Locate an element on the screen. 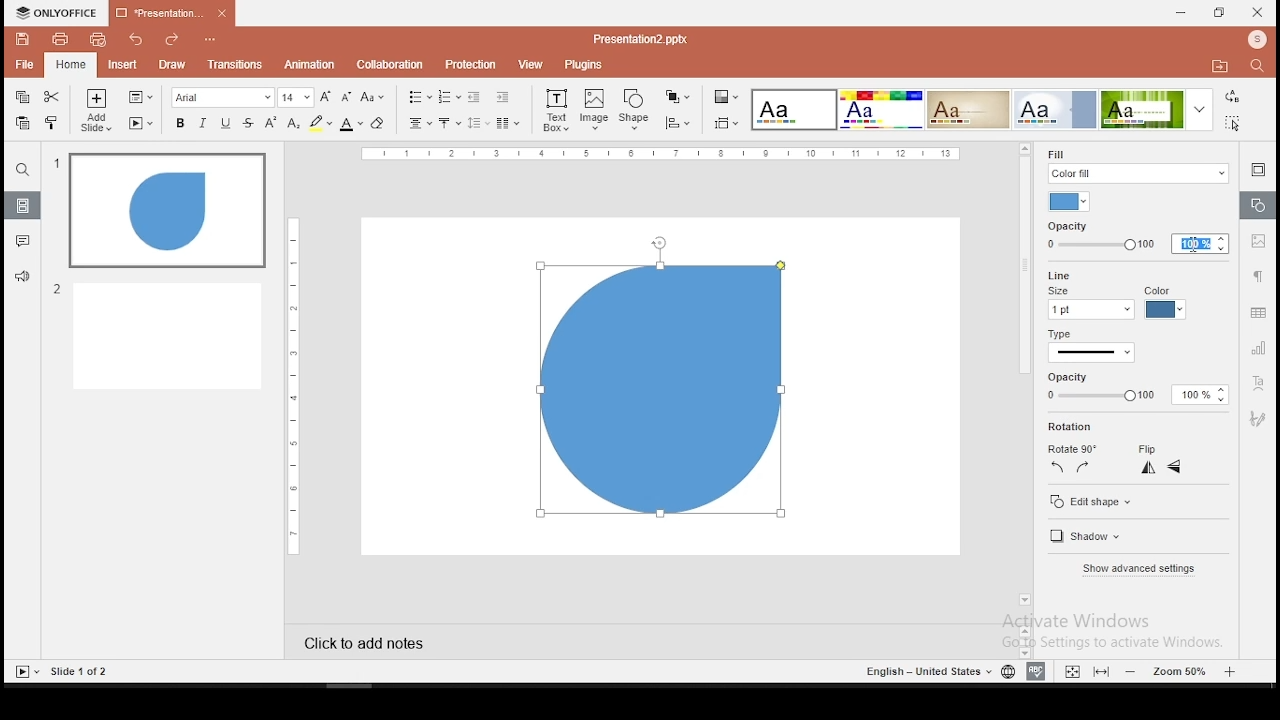 Image resolution: width=1280 pixels, height=720 pixels. print file is located at coordinates (59, 40).